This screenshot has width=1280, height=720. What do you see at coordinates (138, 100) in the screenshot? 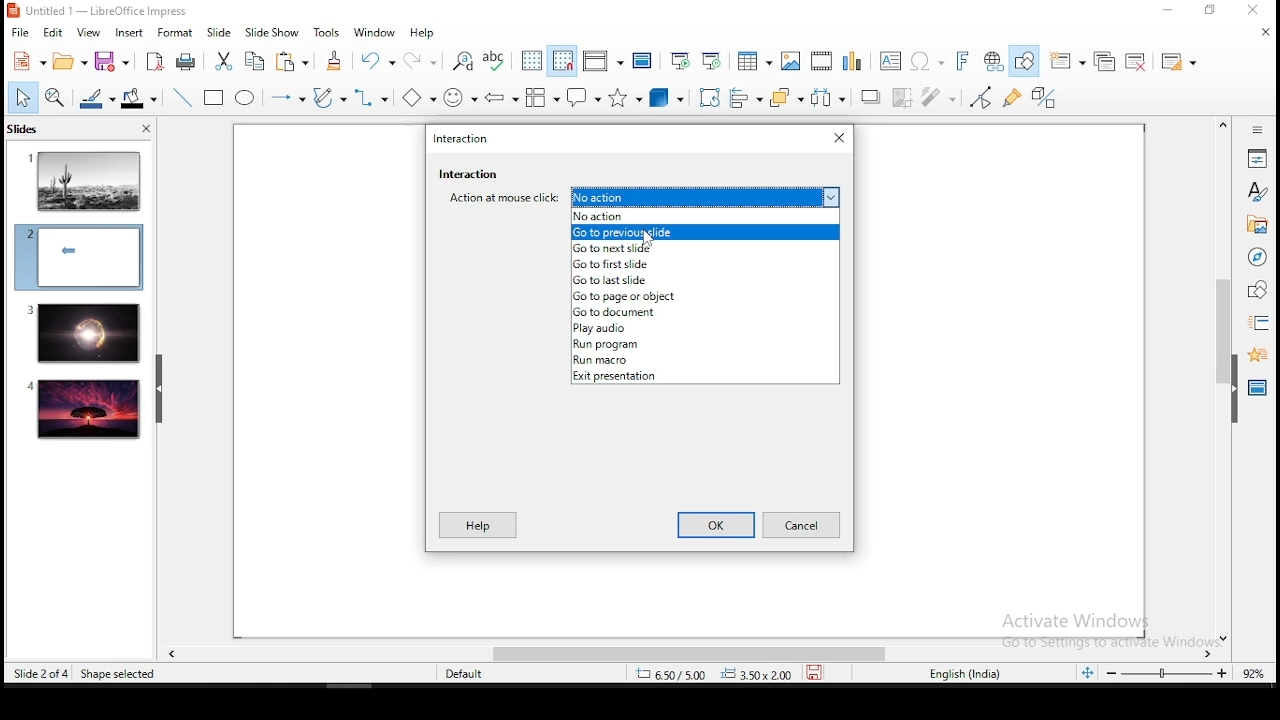
I see `shape fill` at bounding box center [138, 100].